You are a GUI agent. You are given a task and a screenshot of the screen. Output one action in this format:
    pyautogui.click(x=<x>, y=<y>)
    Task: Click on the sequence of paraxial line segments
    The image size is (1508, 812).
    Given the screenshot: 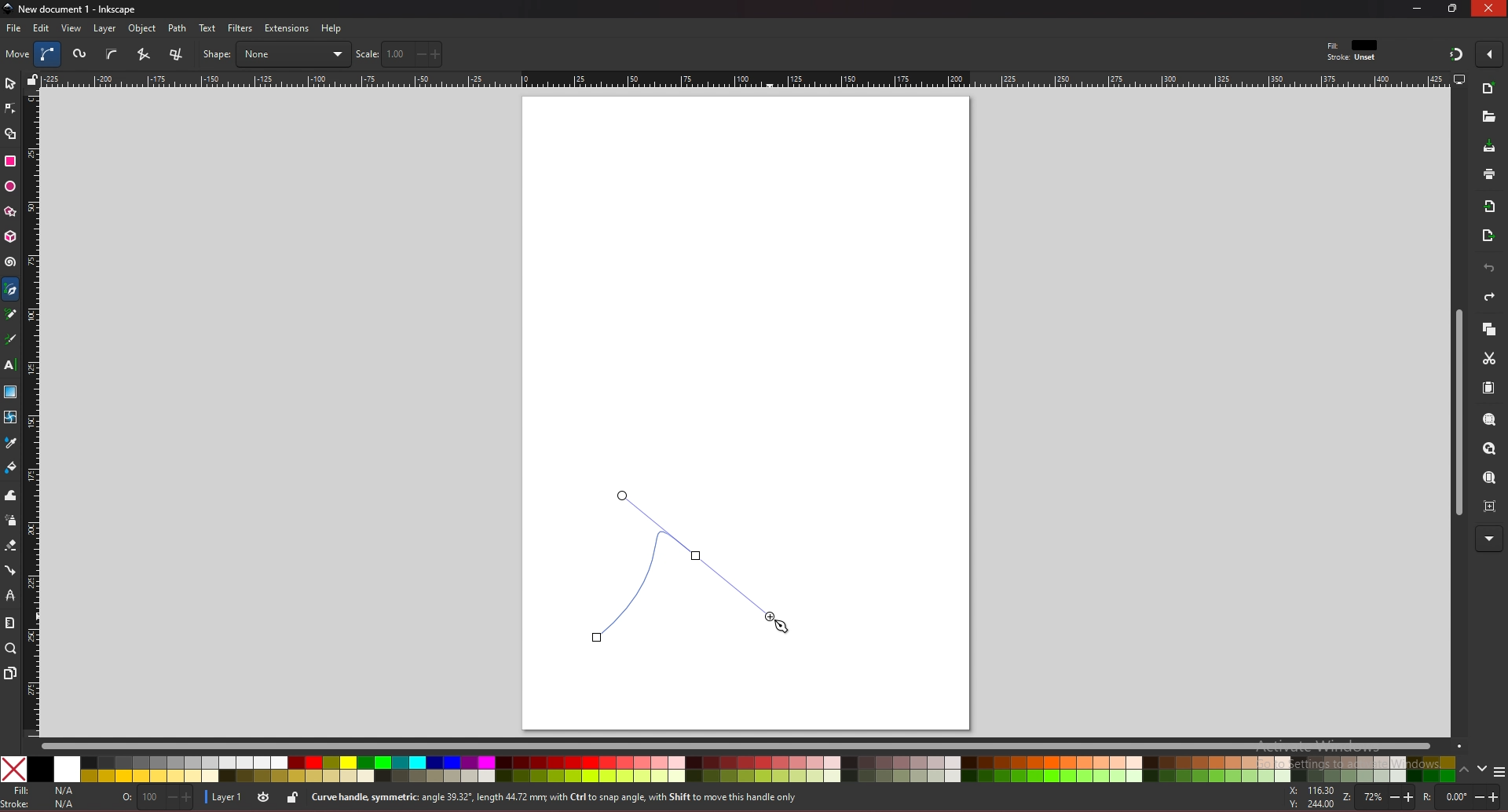 What is the action you would take?
    pyautogui.click(x=178, y=55)
    